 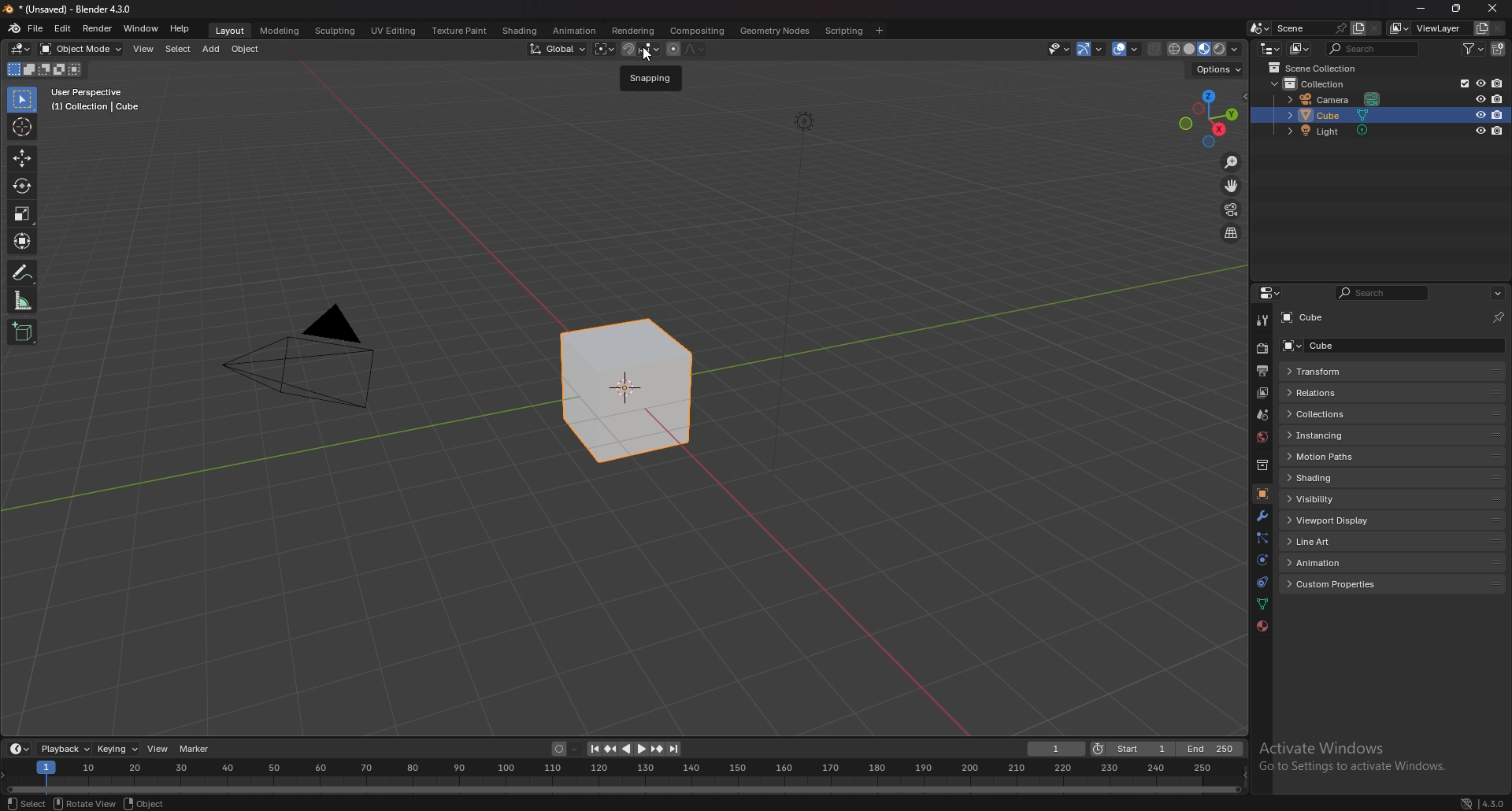 I want to click on add workspace, so click(x=878, y=31).